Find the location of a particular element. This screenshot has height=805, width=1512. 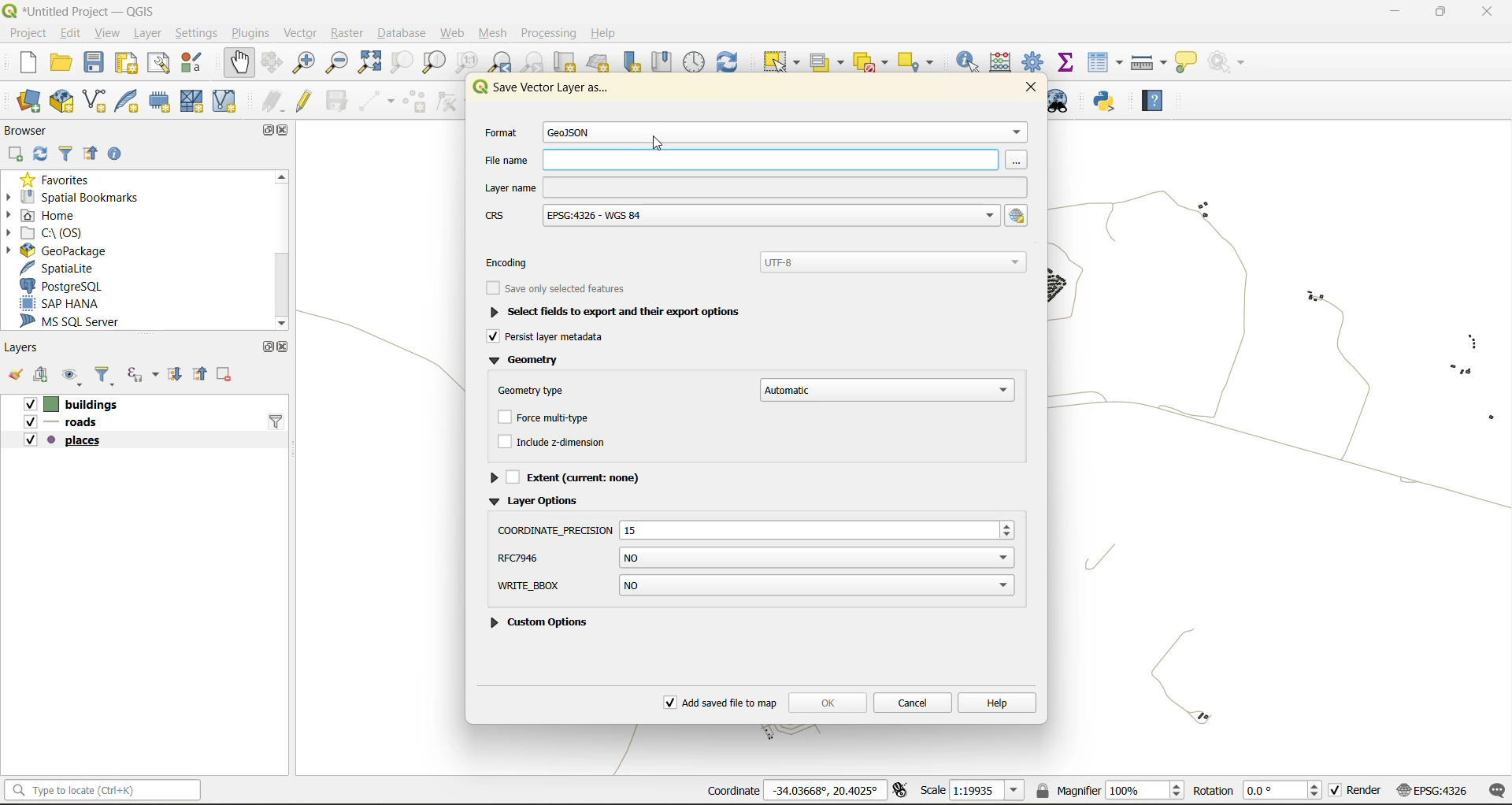

remove is located at coordinates (227, 376).